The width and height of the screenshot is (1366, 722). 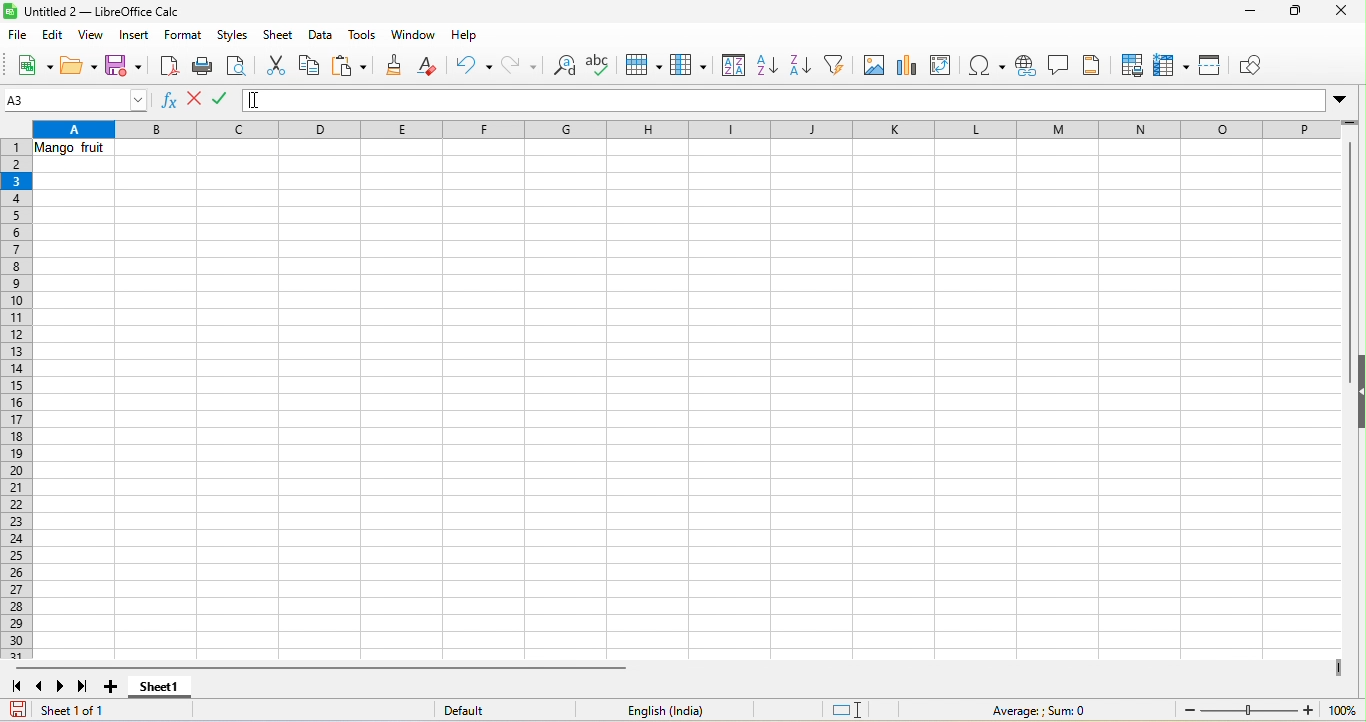 What do you see at coordinates (946, 65) in the screenshot?
I see `edit pivot table` at bounding box center [946, 65].